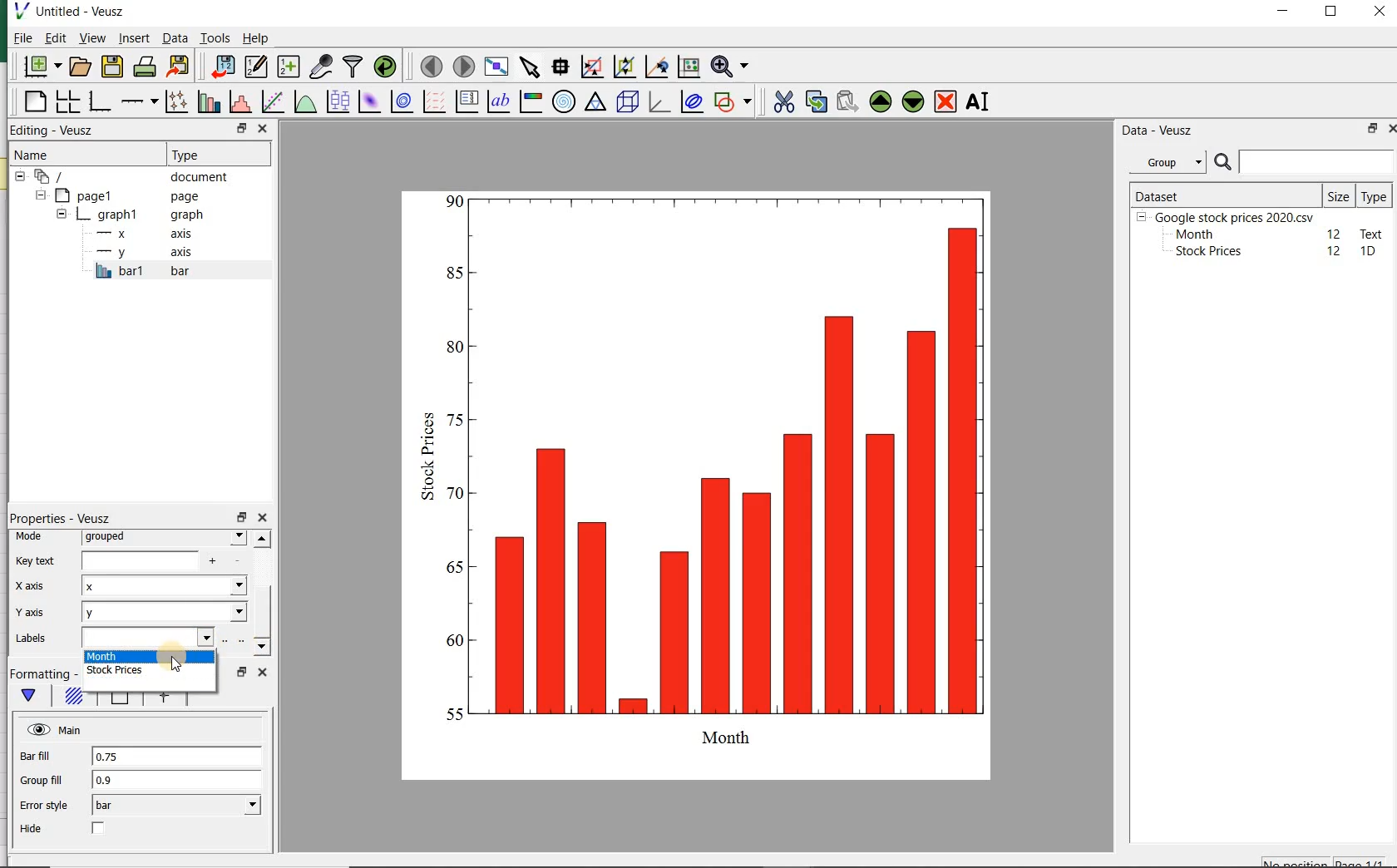 Image resolution: width=1397 pixels, height=868 pixels. What do you see at coordinates (466, 103) in the screenshot?
I see `plot key` at bounding box center [466, 103].